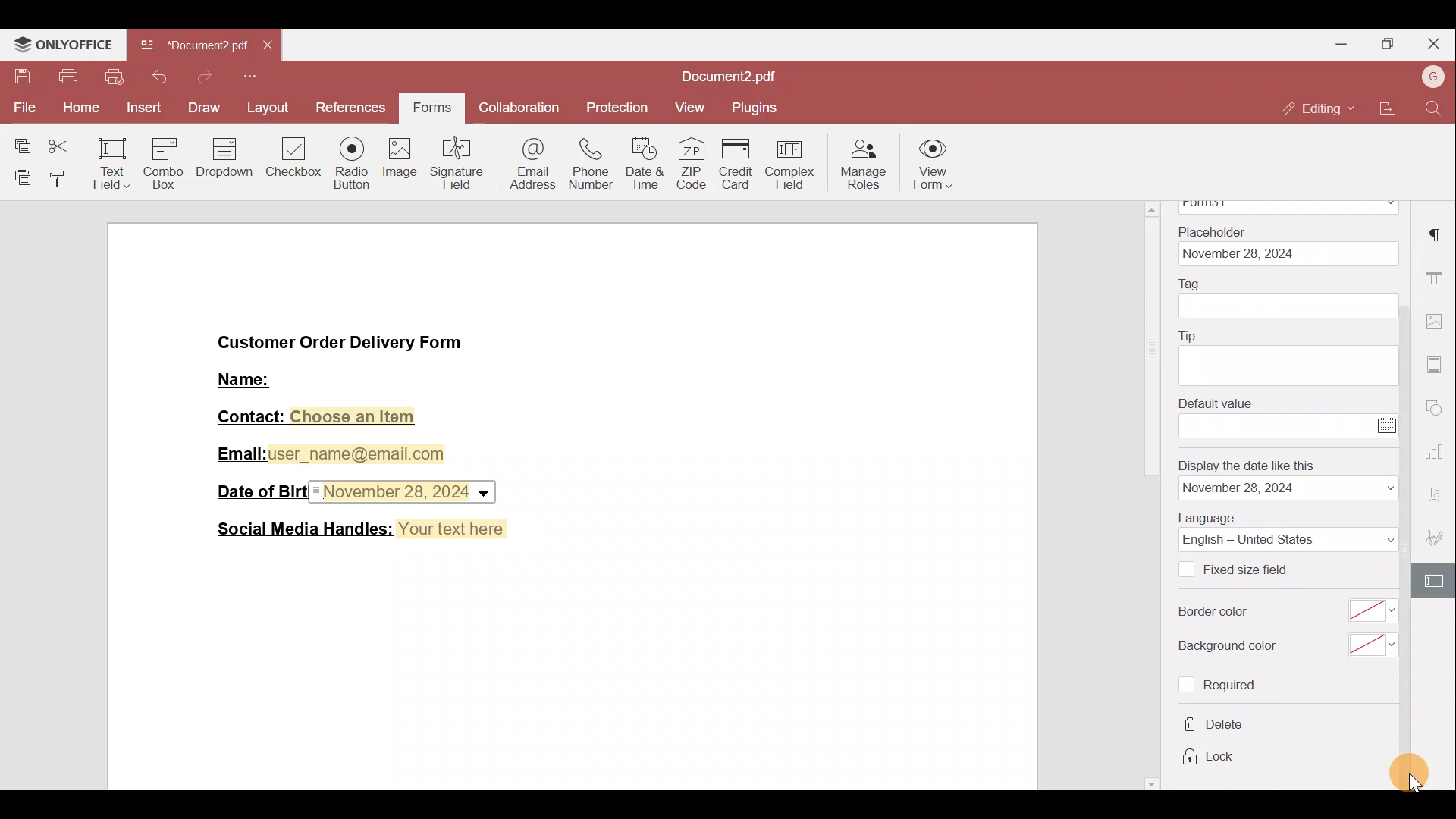  Describe the element at coordinates (110, 163) in the screenshot. I see `Text field` at that location.